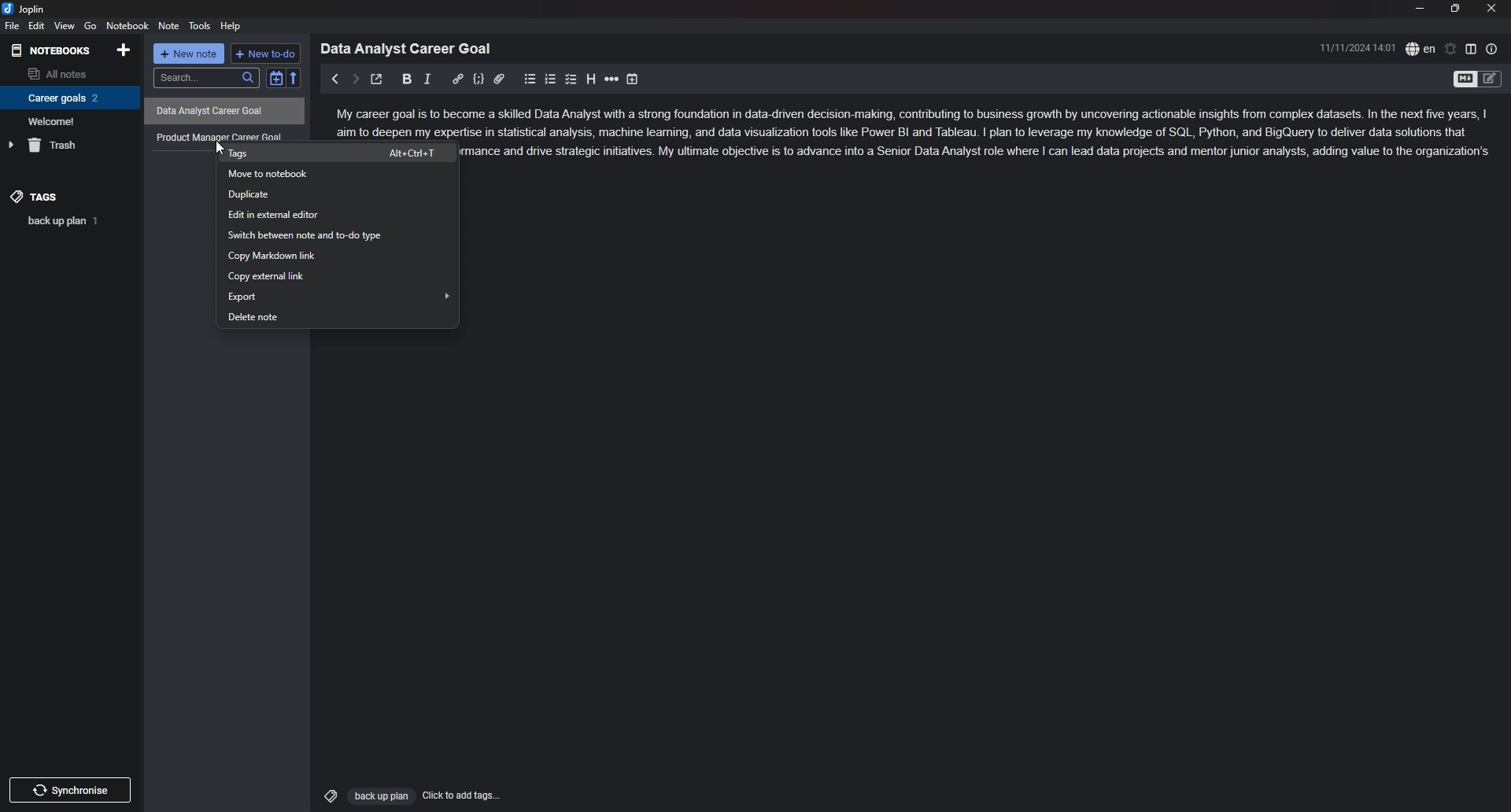 This screenshot has width=1511, height=812. I want to click on notebooks, so click(53, 51).